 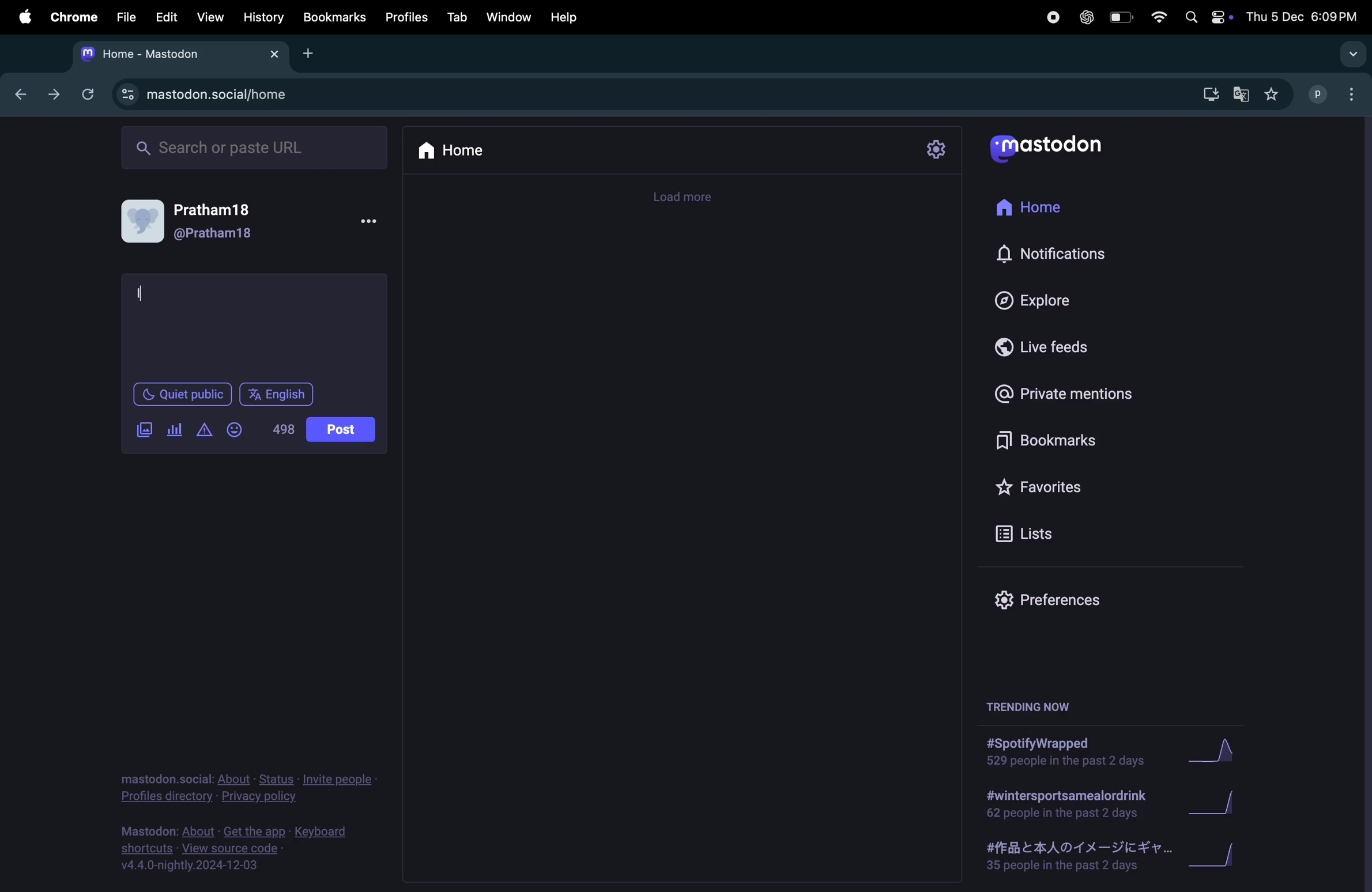 What do you see at coordinates (1067, 804) in the screenshot?
I see `#wintersportdrink` at bounding box center [1067, 804].